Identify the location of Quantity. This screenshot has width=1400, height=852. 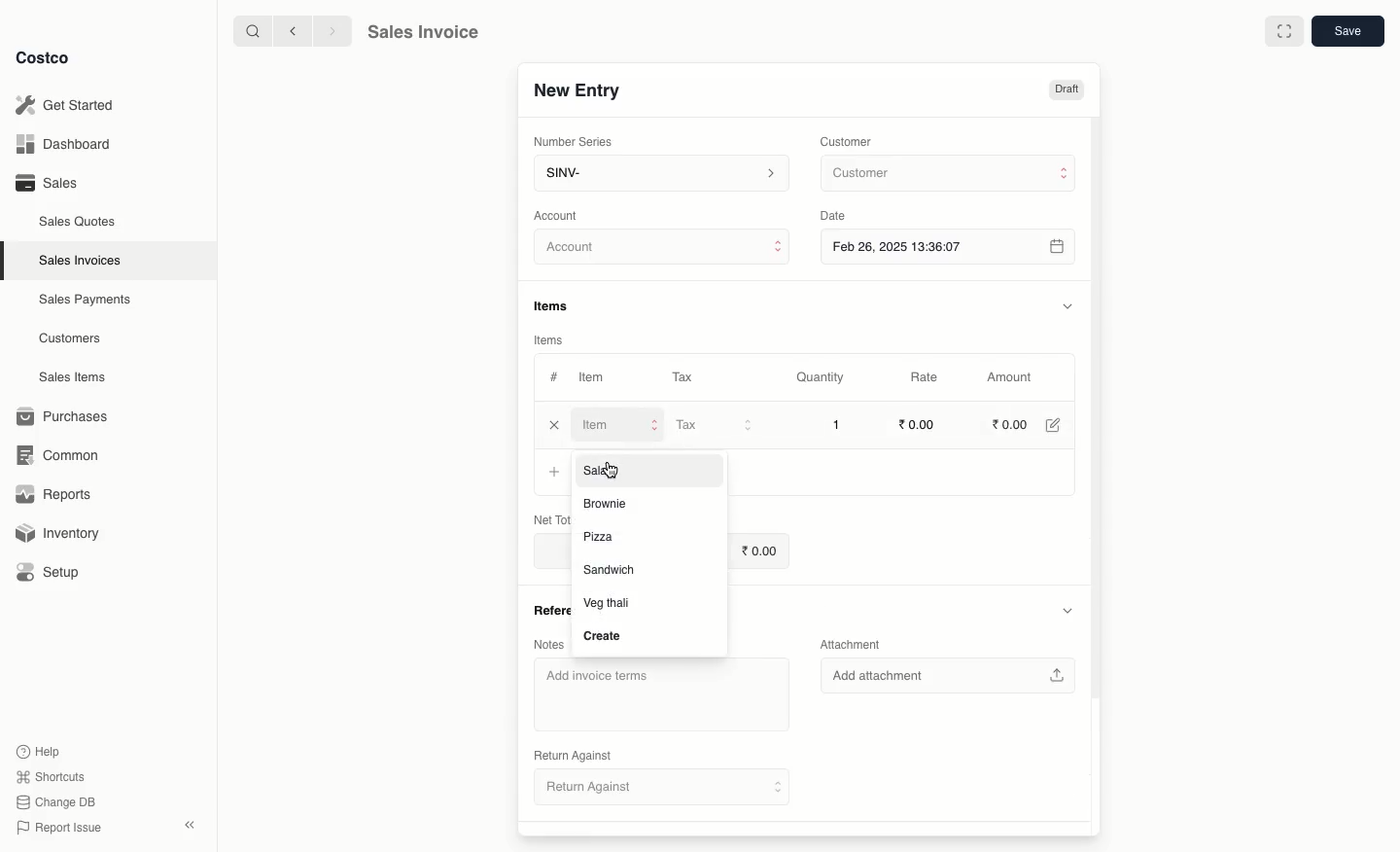
(819, 378).